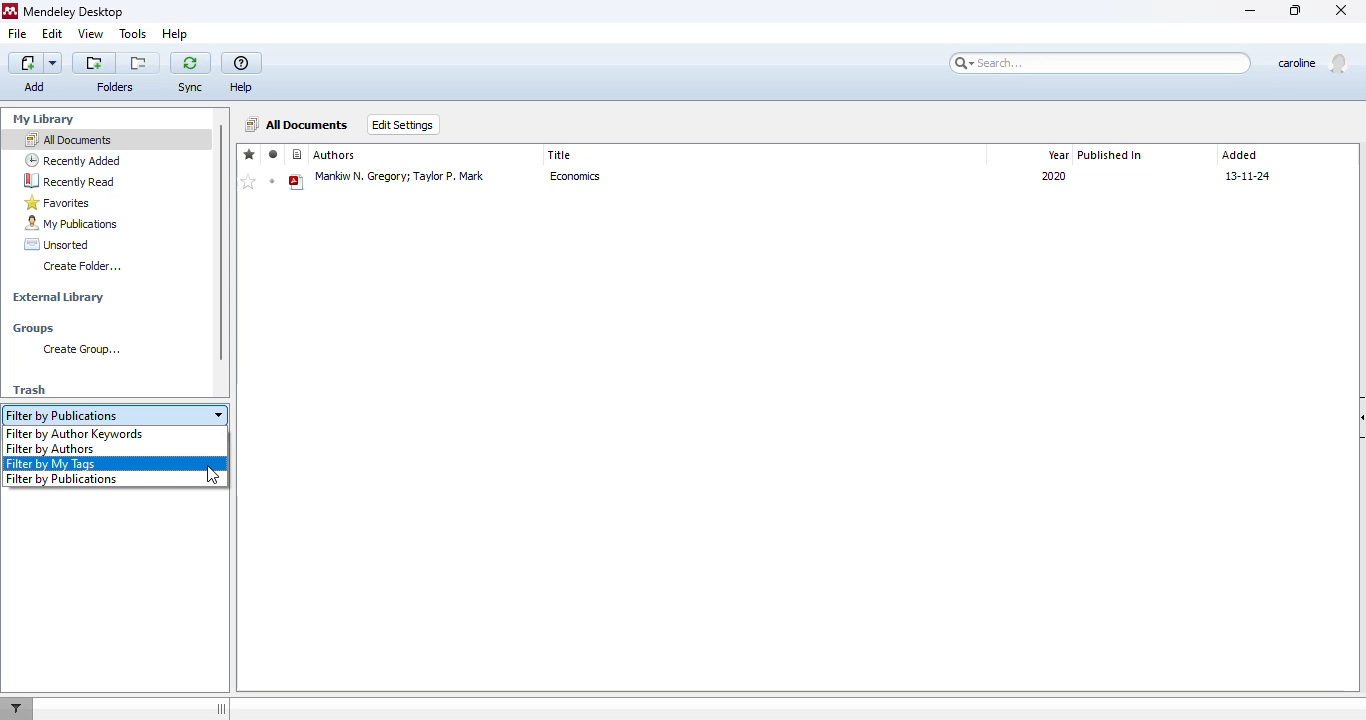 This screenshot has height=720, width=1366. Describe the element at coordinates (53, 33) in the screenshot. I see `edit` at that location.